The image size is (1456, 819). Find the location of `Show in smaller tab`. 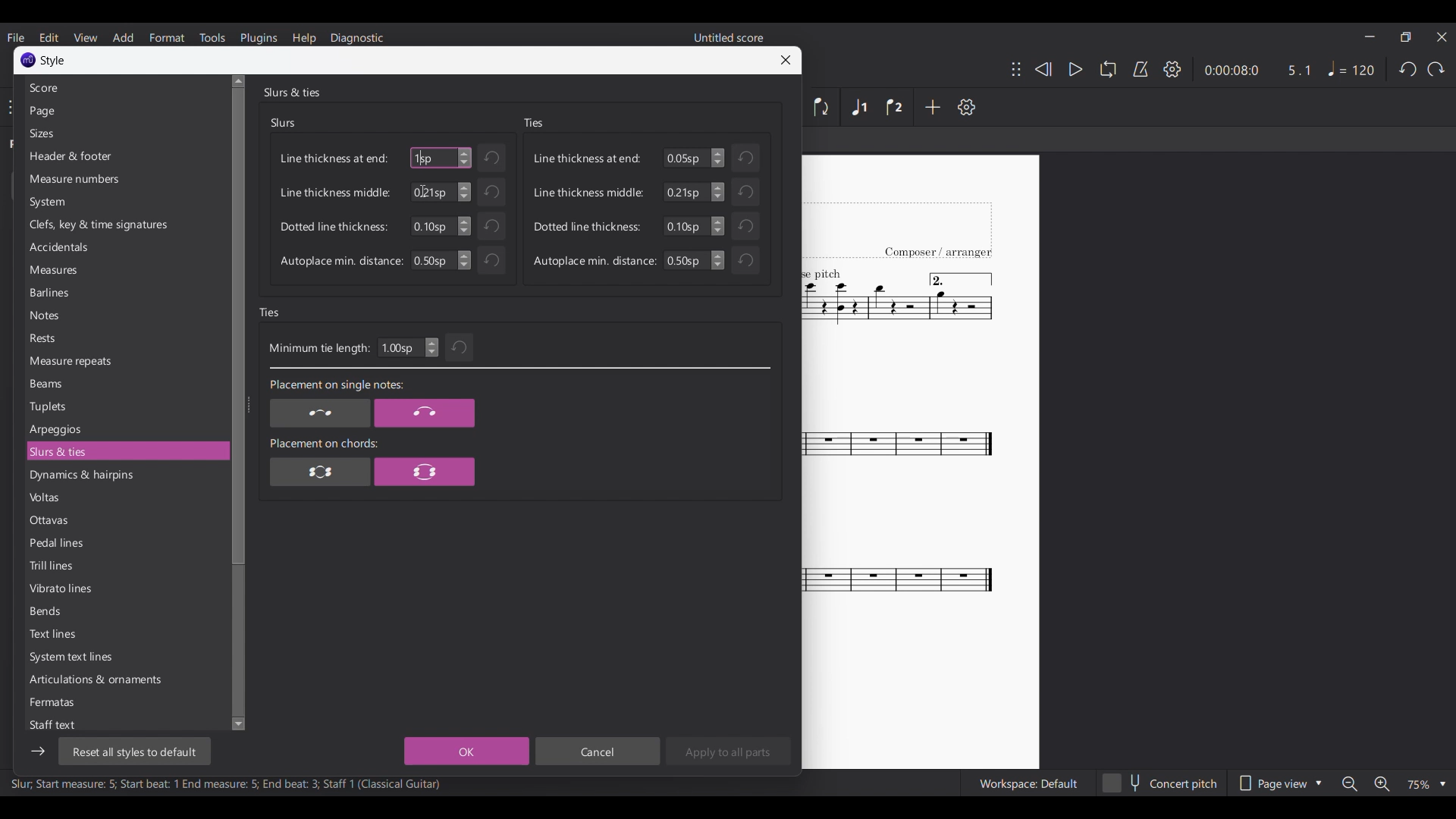

Show in smaller tab is located at coordinates (1406, 37).